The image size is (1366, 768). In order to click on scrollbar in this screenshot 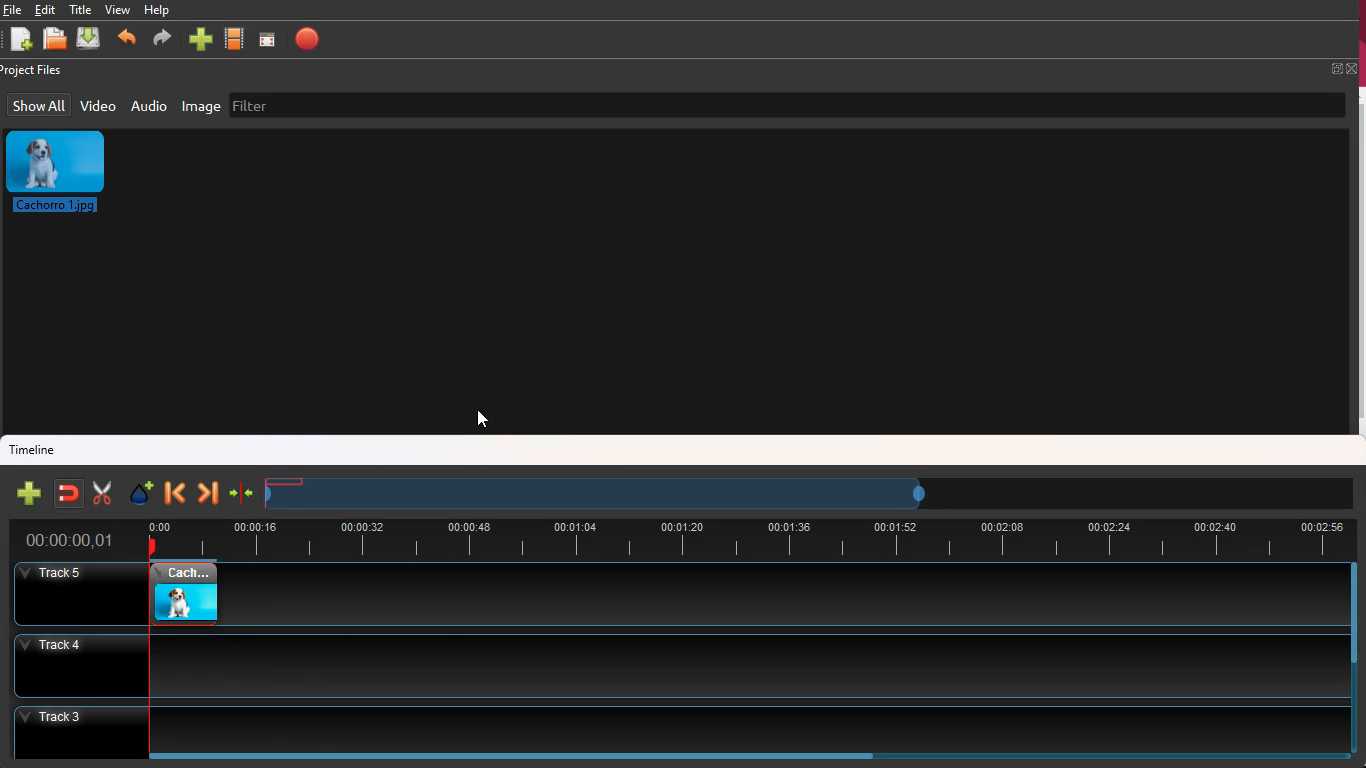, I will do `click(1348, 660)`.